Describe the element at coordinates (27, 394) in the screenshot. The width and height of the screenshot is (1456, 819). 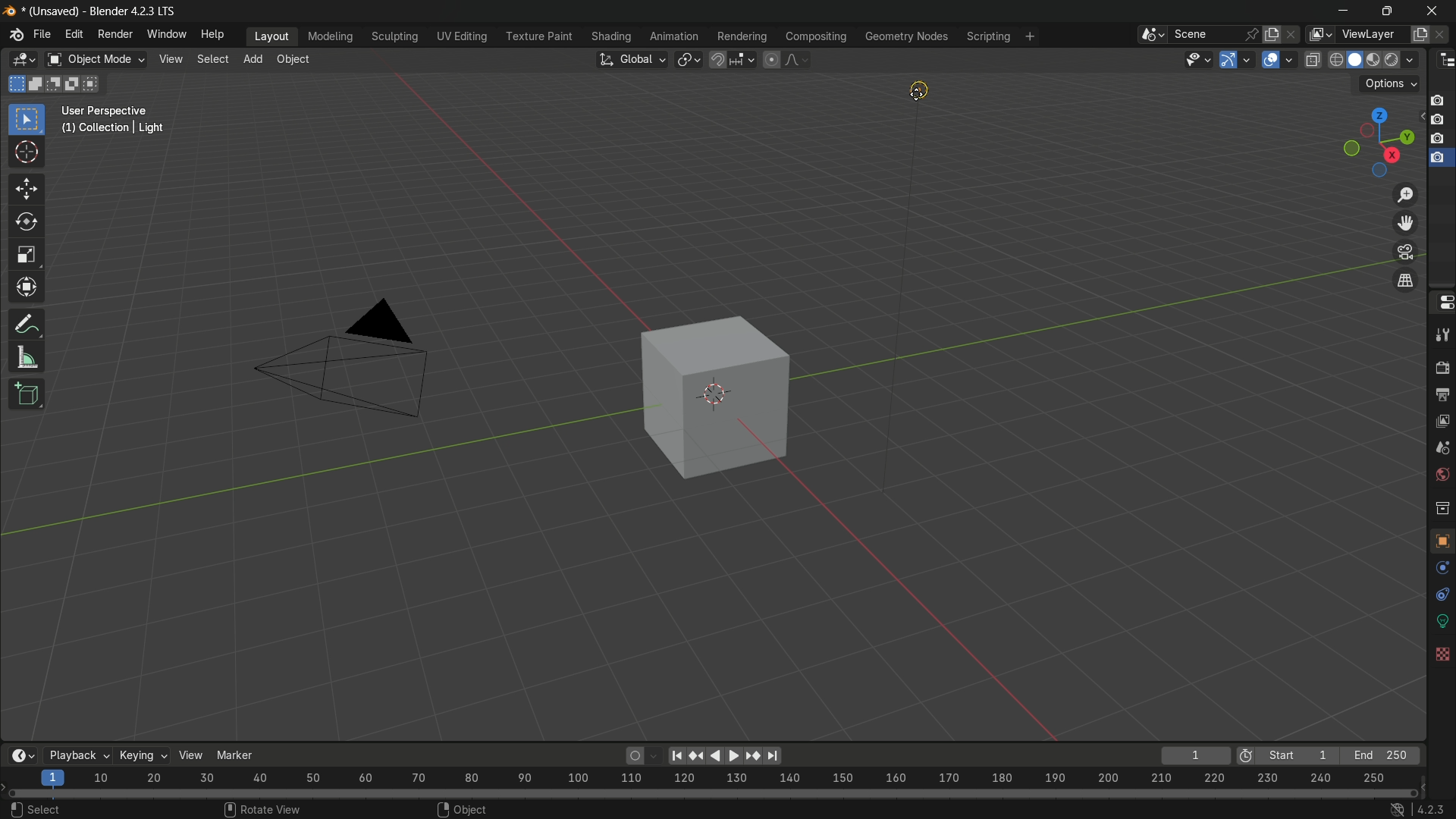
I see `add cube` at that location.